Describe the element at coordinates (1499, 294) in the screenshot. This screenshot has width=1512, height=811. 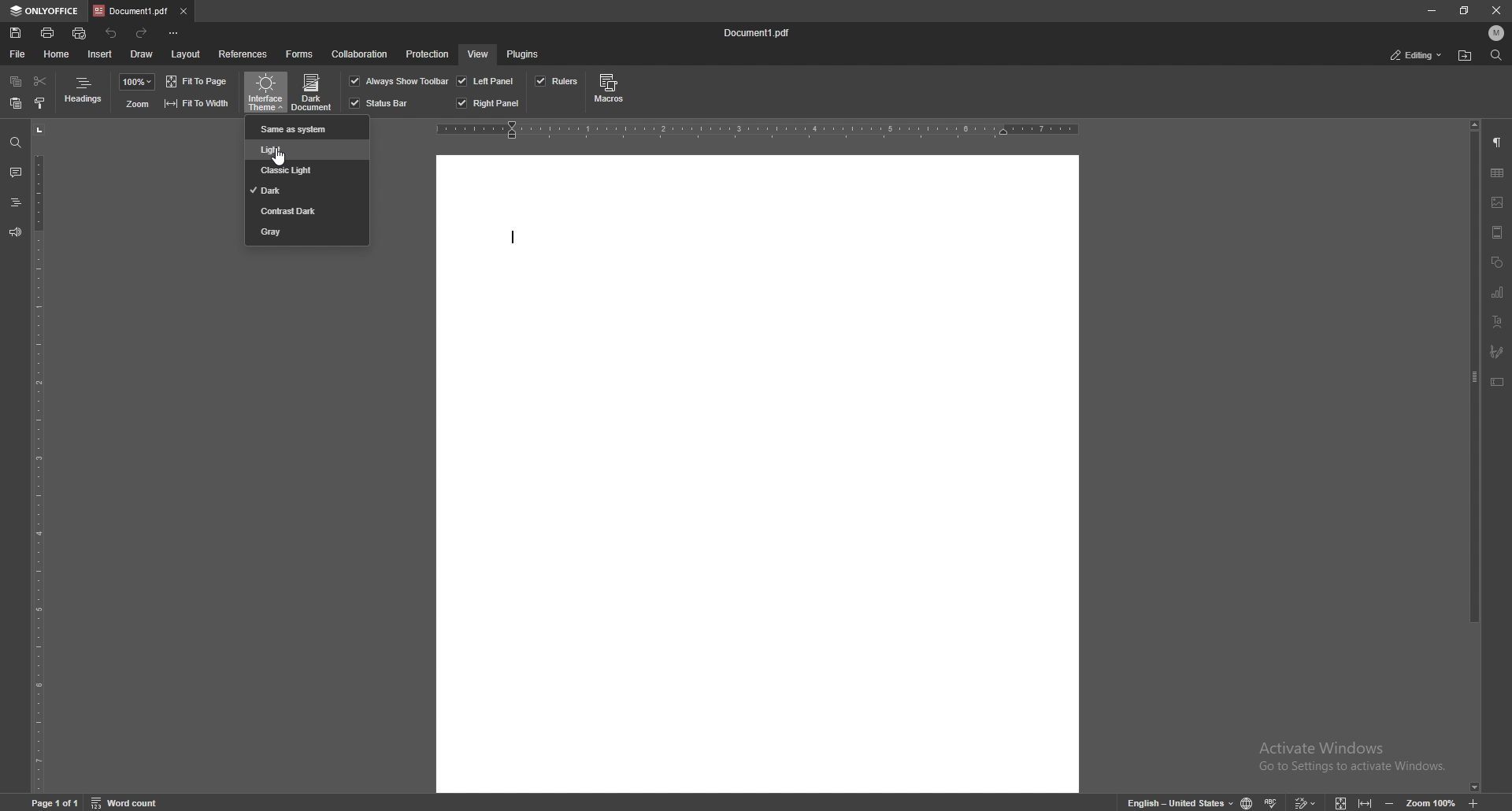
I see `chart` at that location.